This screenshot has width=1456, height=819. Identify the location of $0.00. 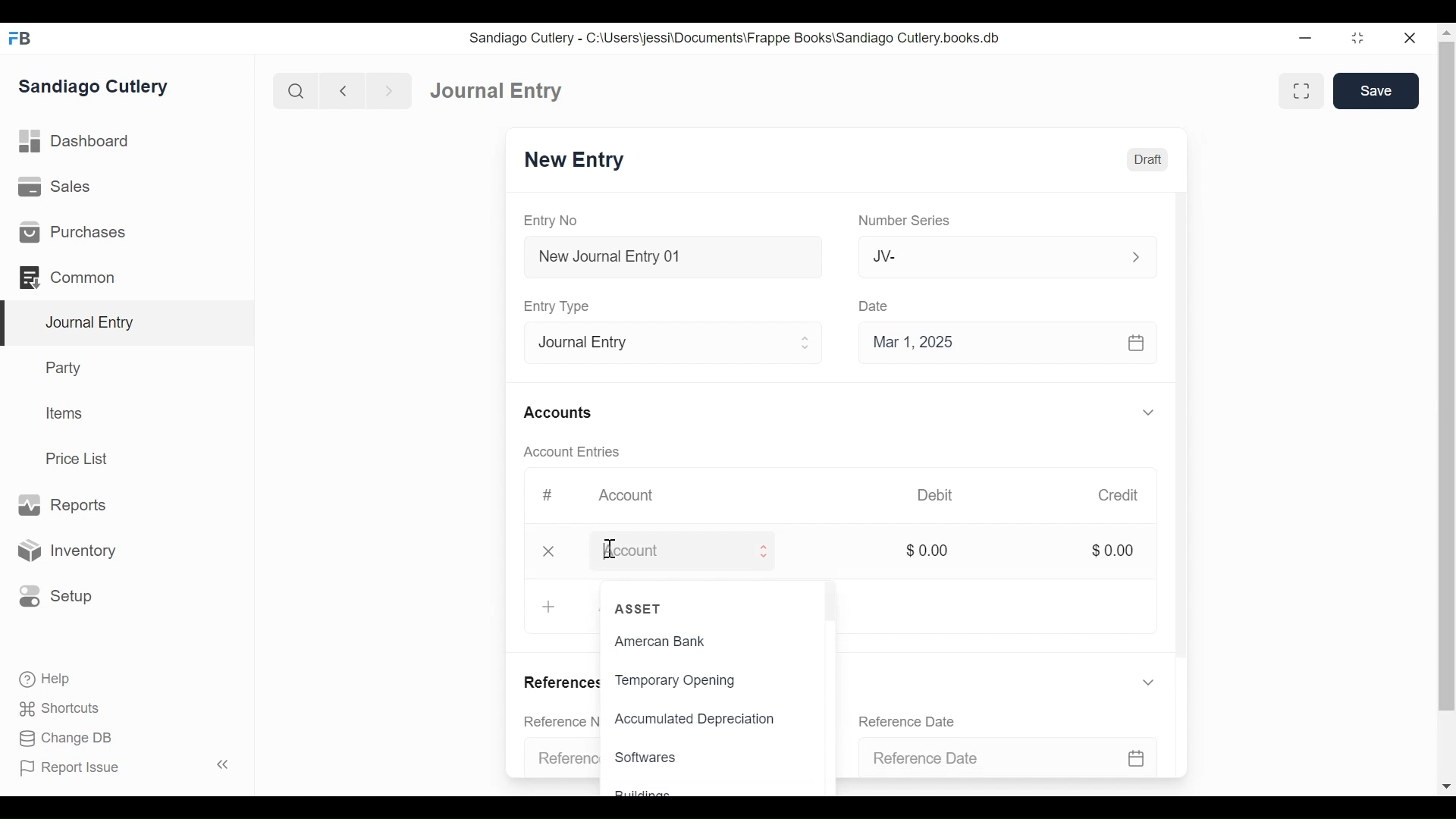
(1122, 551).